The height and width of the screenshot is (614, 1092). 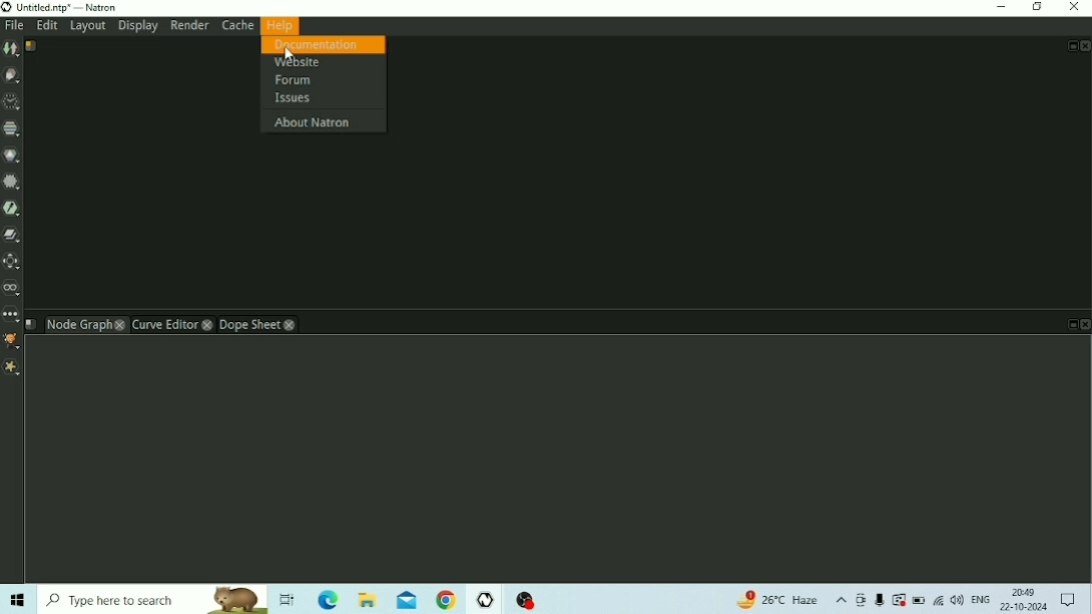 What do you see at coordinates (293, 98) in the screenshot?
I see `Issues` at bounding box center [293, 98].